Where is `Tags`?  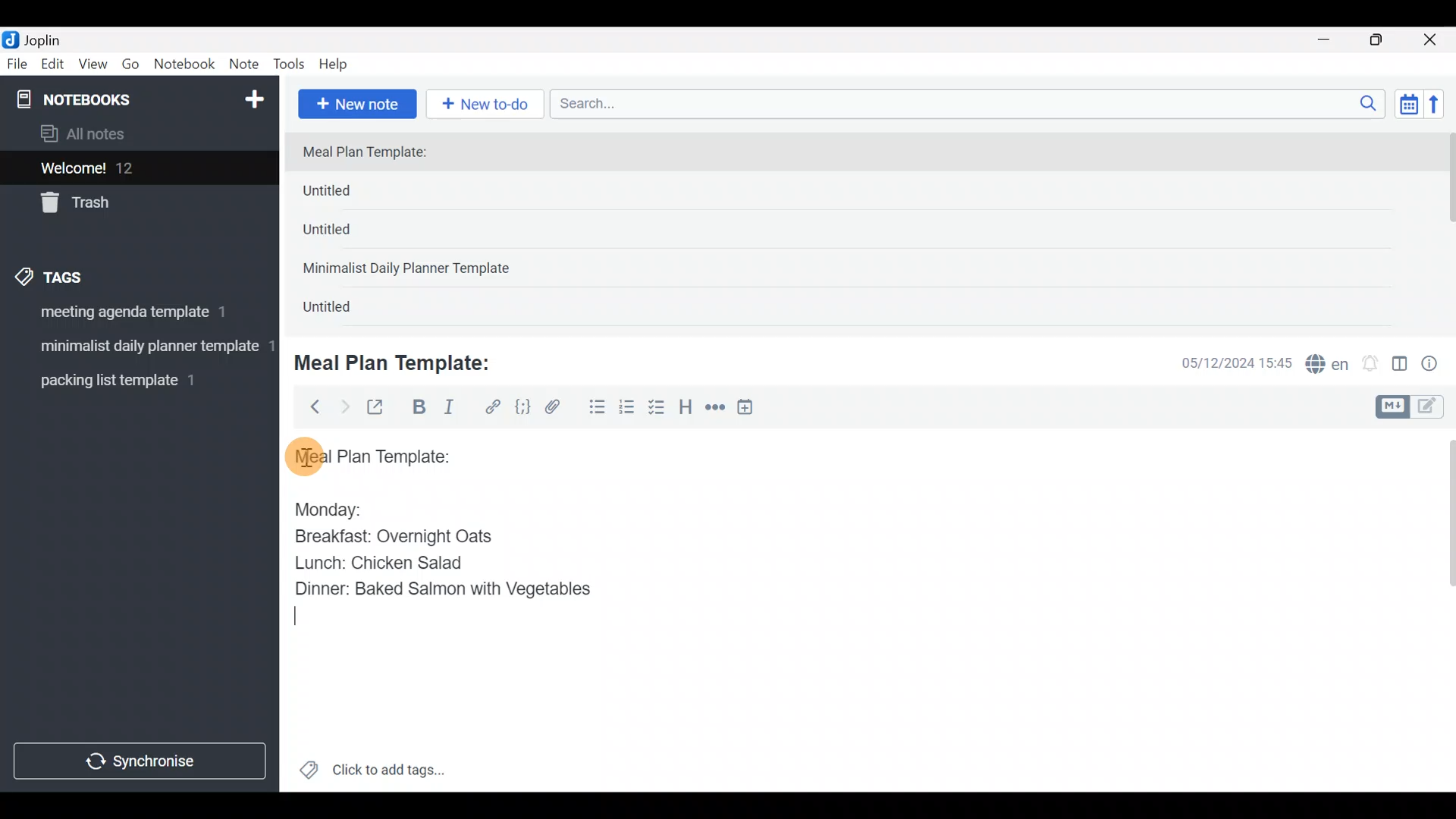 Tags is located at coordinates (85, 275).